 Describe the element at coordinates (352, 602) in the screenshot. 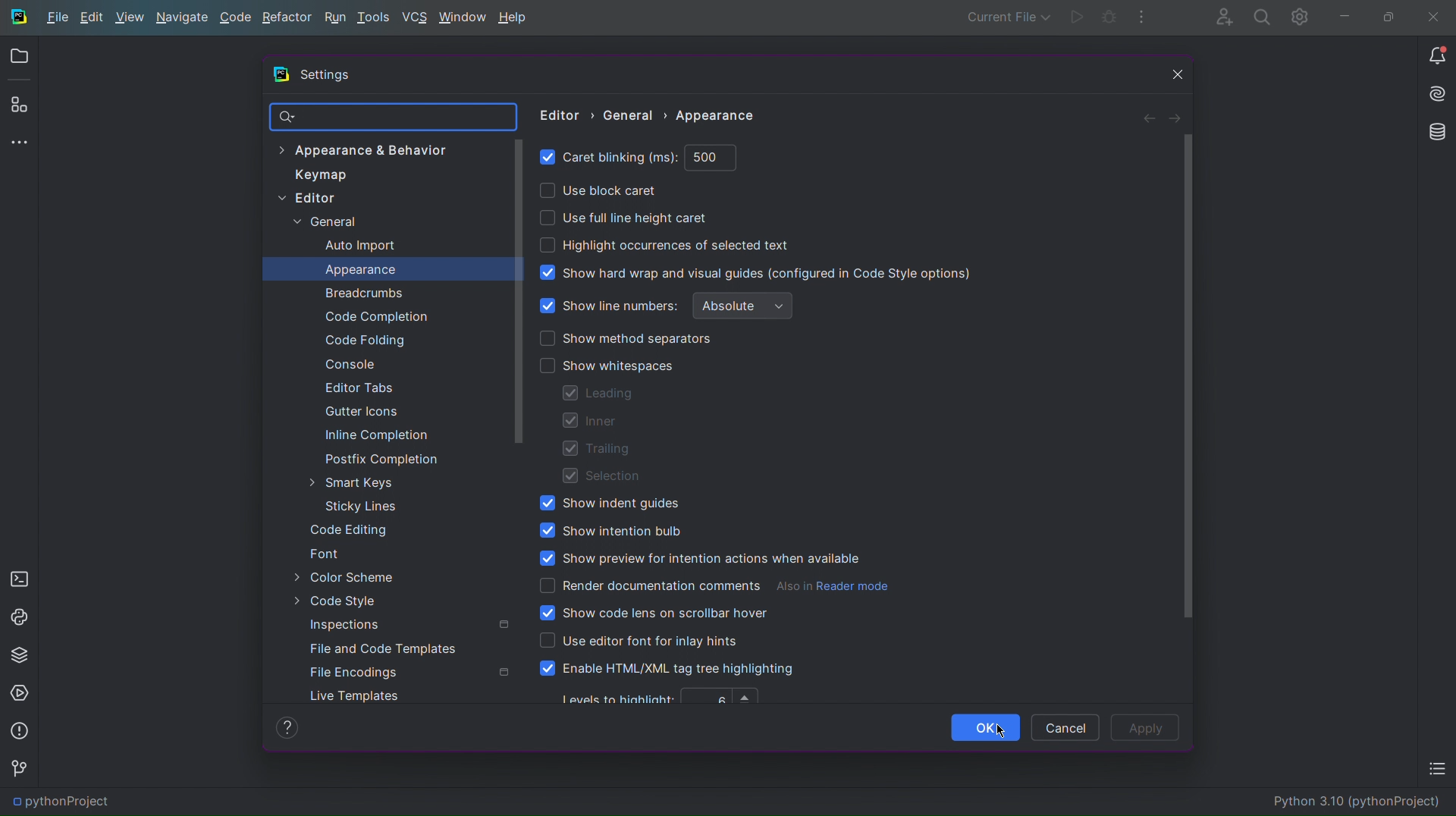

I see `Code Style` at that location.